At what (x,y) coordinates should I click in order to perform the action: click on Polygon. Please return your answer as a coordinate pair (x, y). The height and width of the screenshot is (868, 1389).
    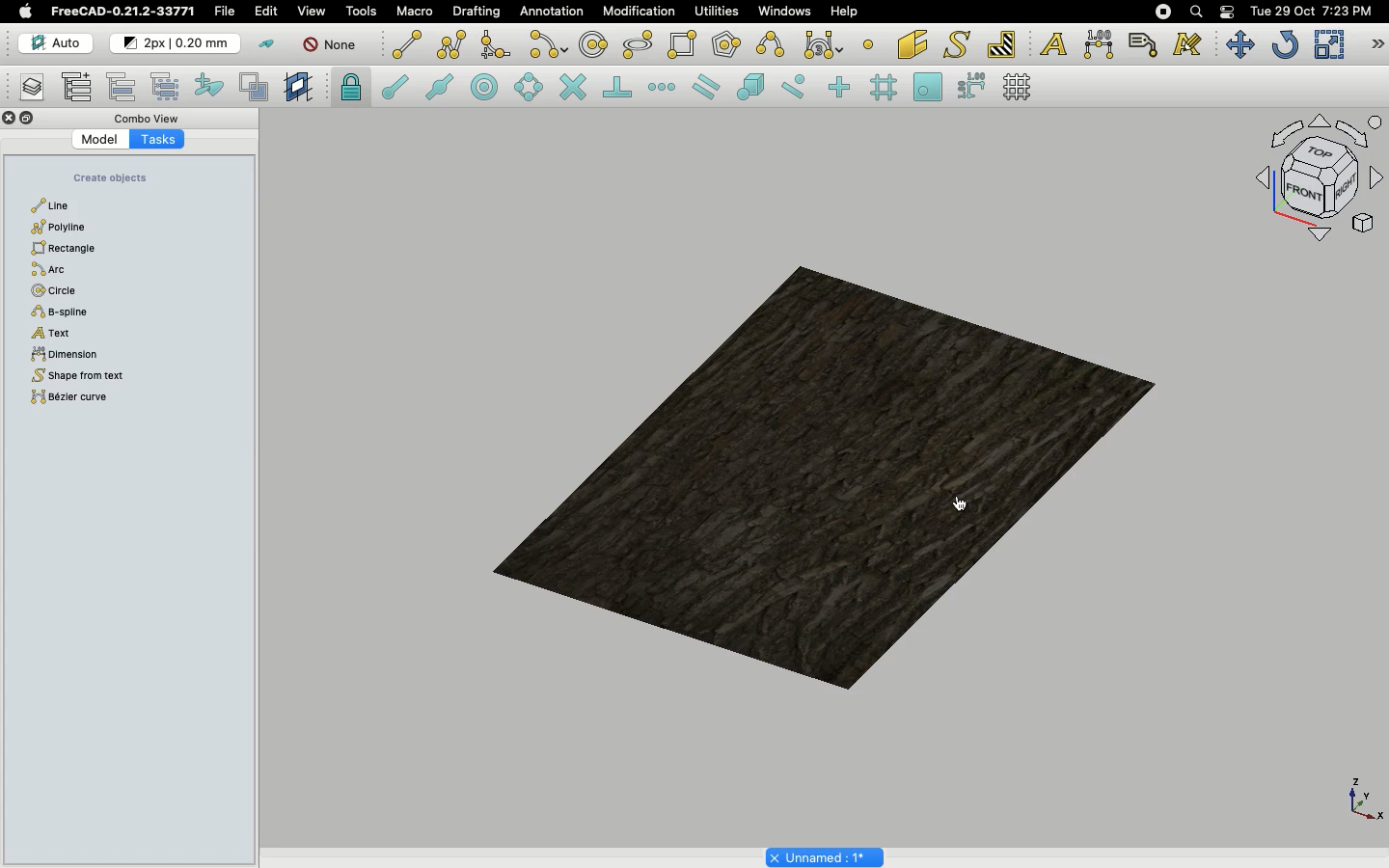
    Looking at the image, I should click on (724, 45).